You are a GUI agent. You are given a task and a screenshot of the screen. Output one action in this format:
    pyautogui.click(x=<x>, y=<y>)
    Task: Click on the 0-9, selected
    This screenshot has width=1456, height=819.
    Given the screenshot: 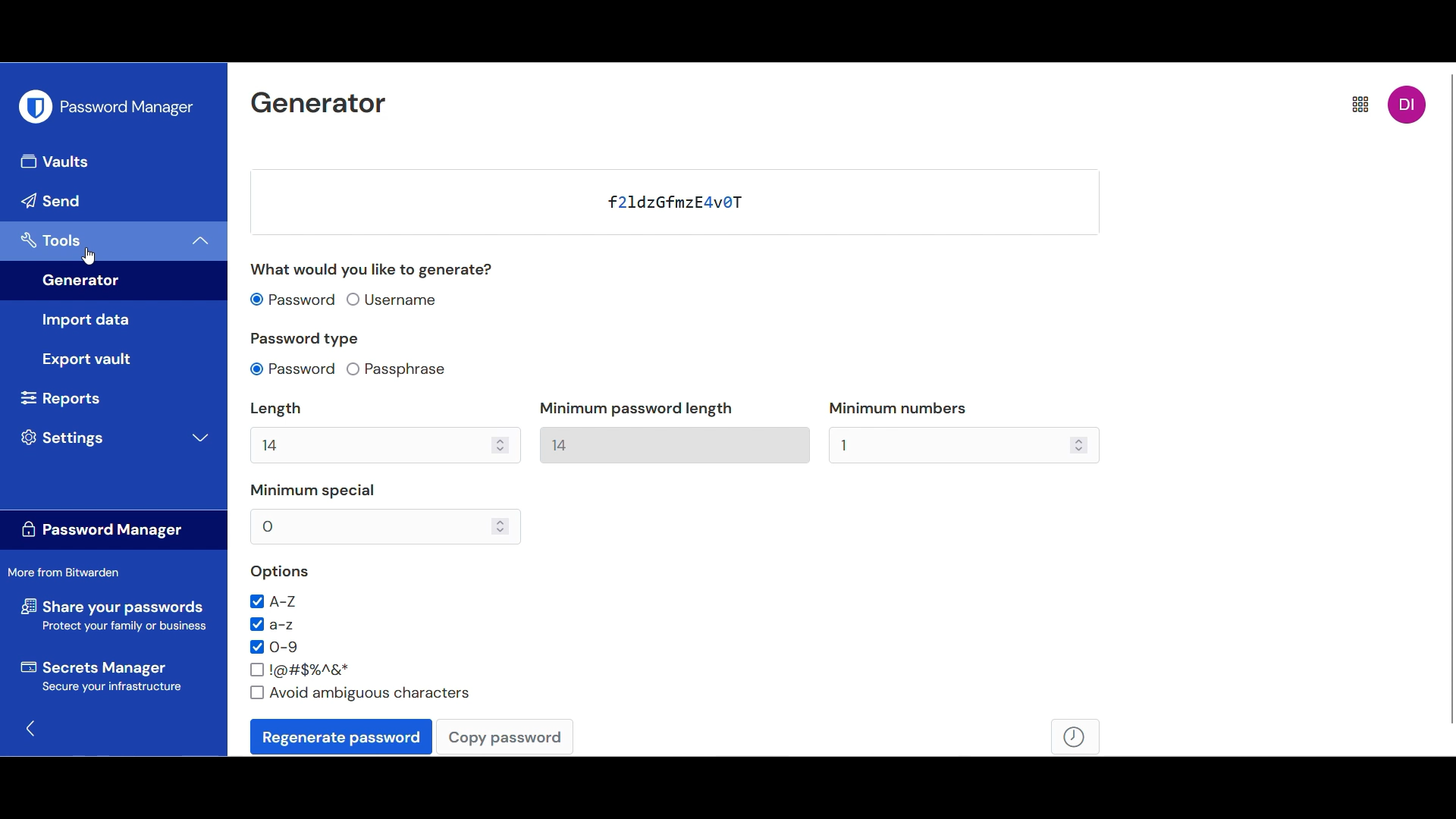 What is the action you would take?
    pyautogui.click(x=274, y=647)
    